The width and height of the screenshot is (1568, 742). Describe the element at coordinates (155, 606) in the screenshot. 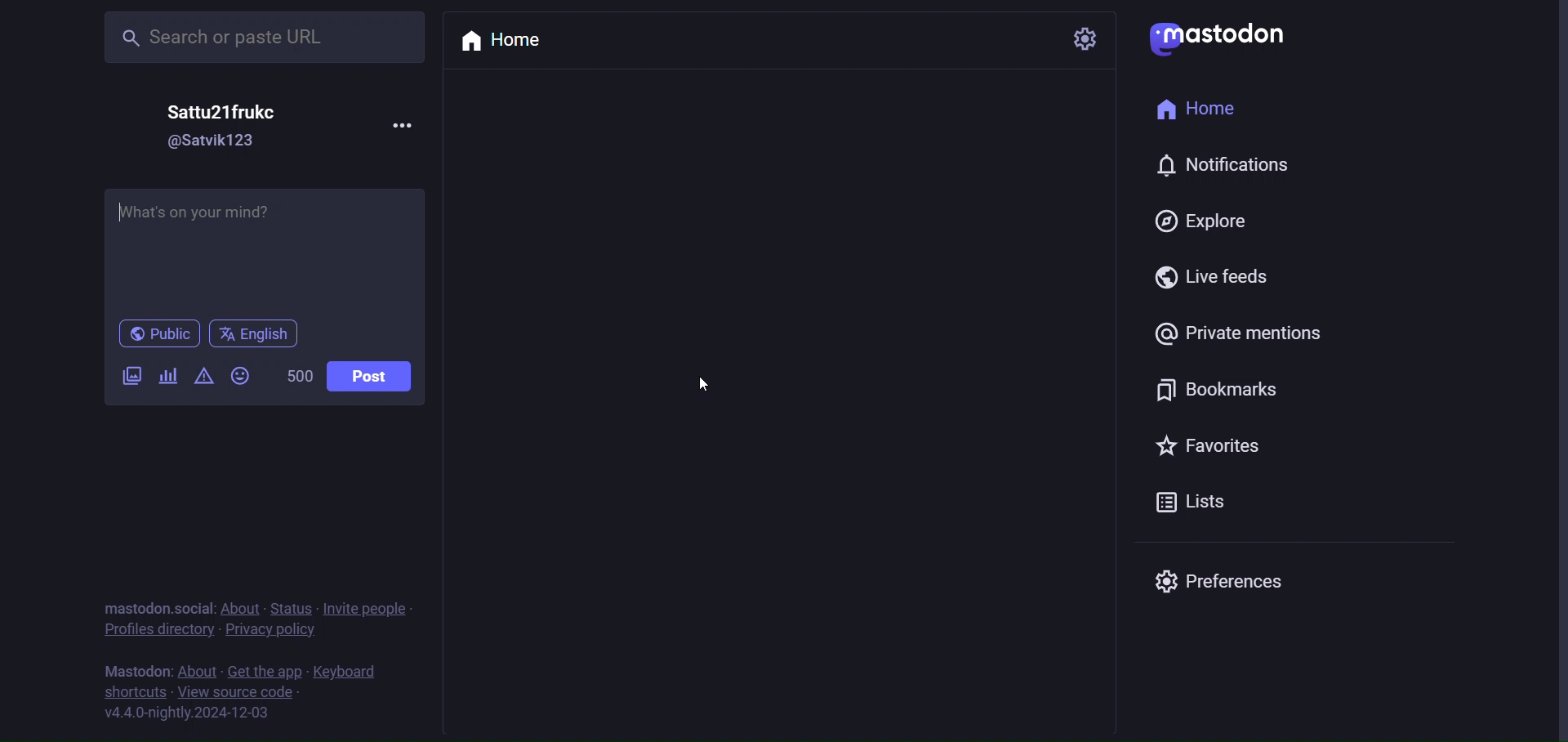

I see `mastodon social` at that location.